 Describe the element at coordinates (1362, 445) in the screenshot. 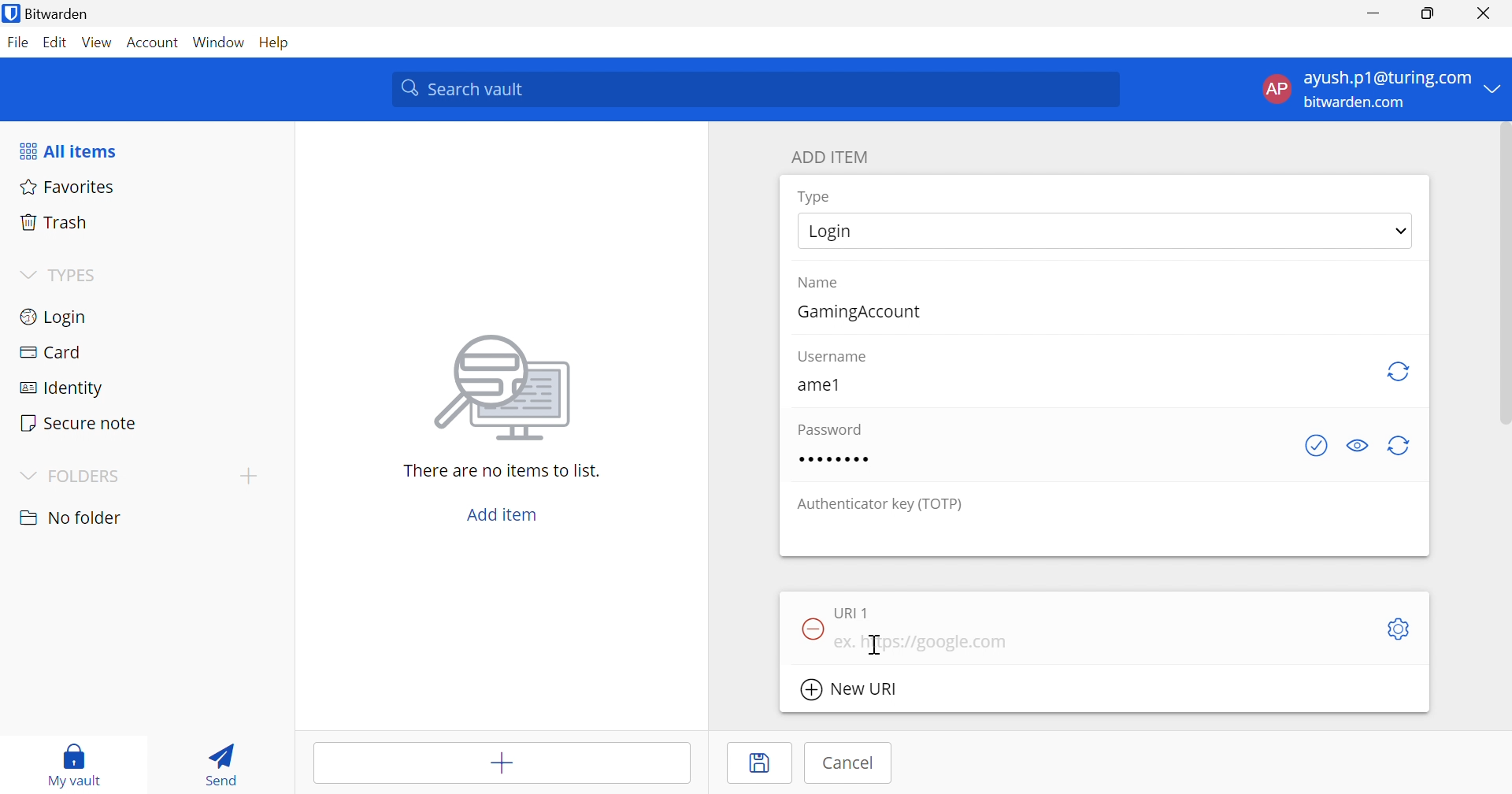

I see `Toggle visibility` at that location.